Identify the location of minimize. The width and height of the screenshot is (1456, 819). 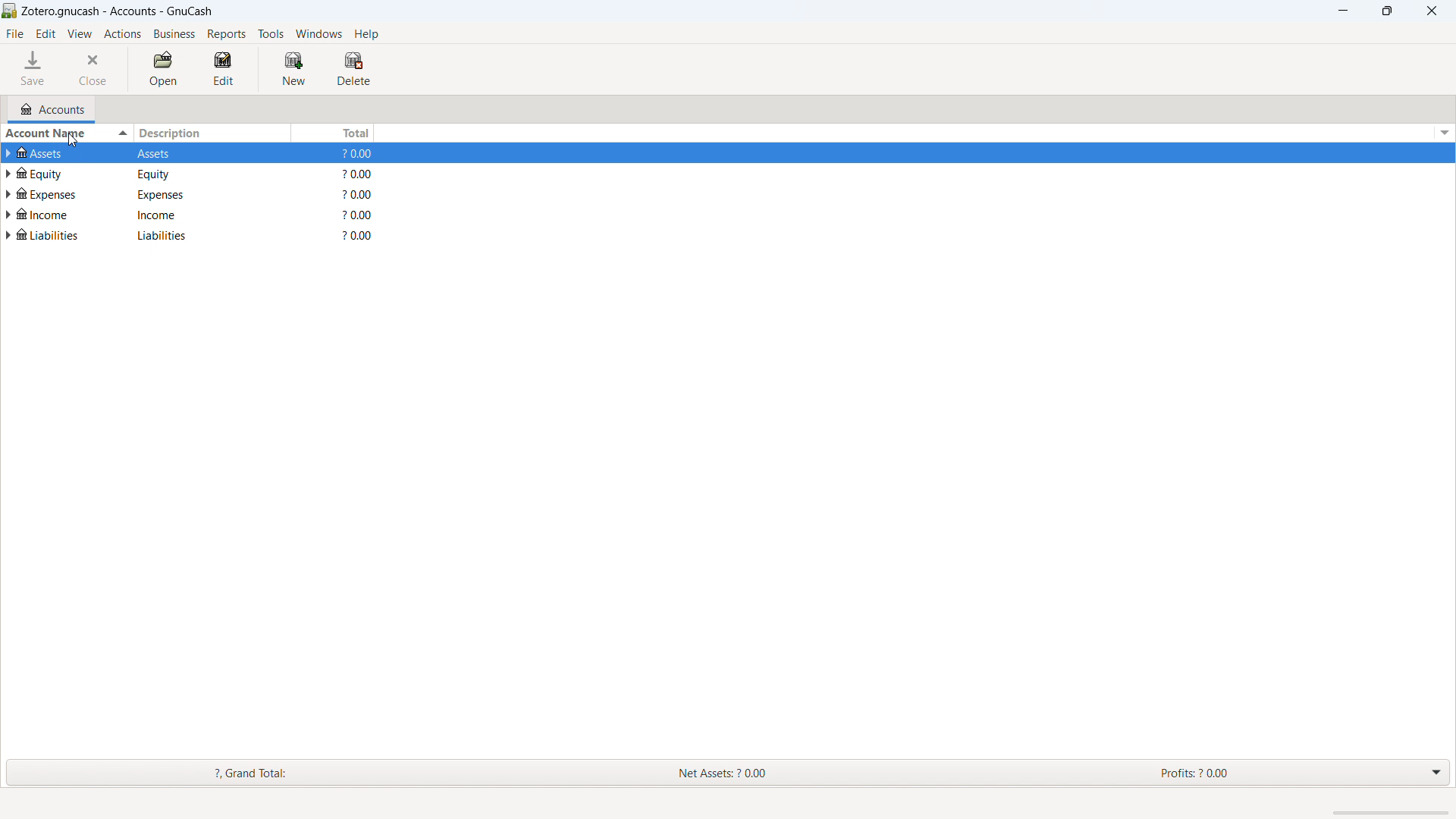
(1341, 11).